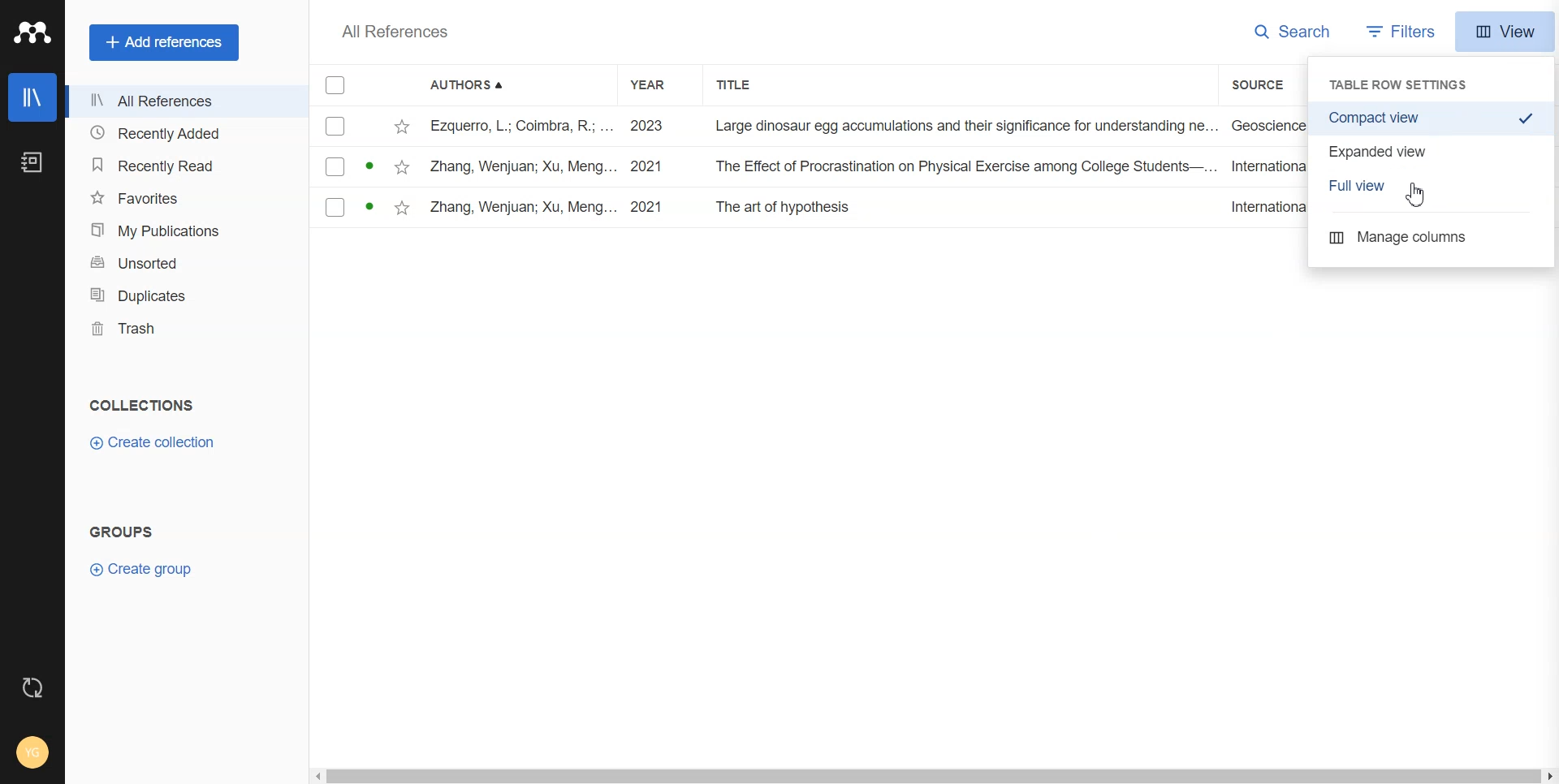 This screenshot has height=784, width=1559. What do you see at coordinates (145, 570) in the screenshot?
I see `Create Group` at bounding box center [145, 570].